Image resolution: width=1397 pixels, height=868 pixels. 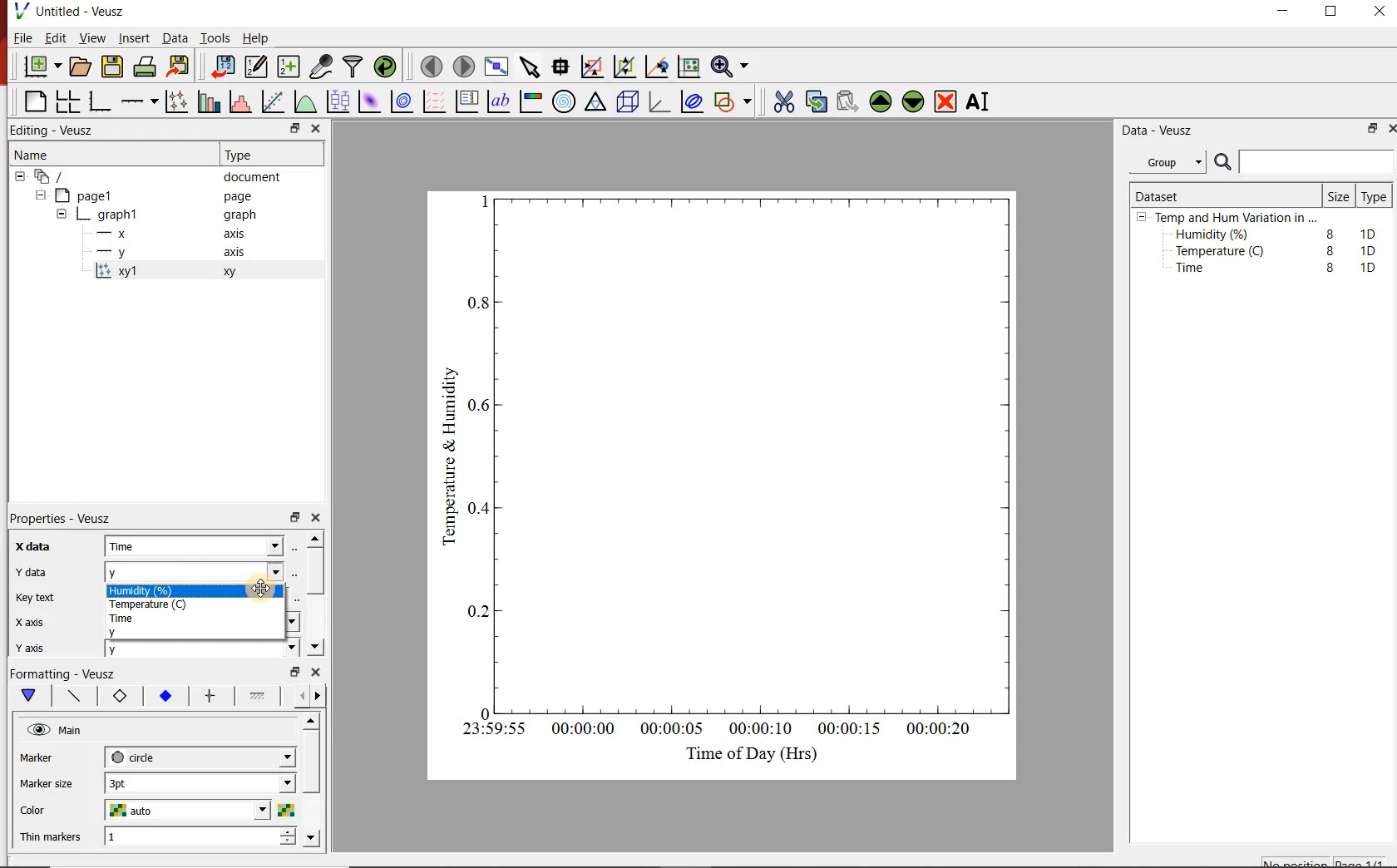 I want to click on move to the next page, so click(x=463, y=66).